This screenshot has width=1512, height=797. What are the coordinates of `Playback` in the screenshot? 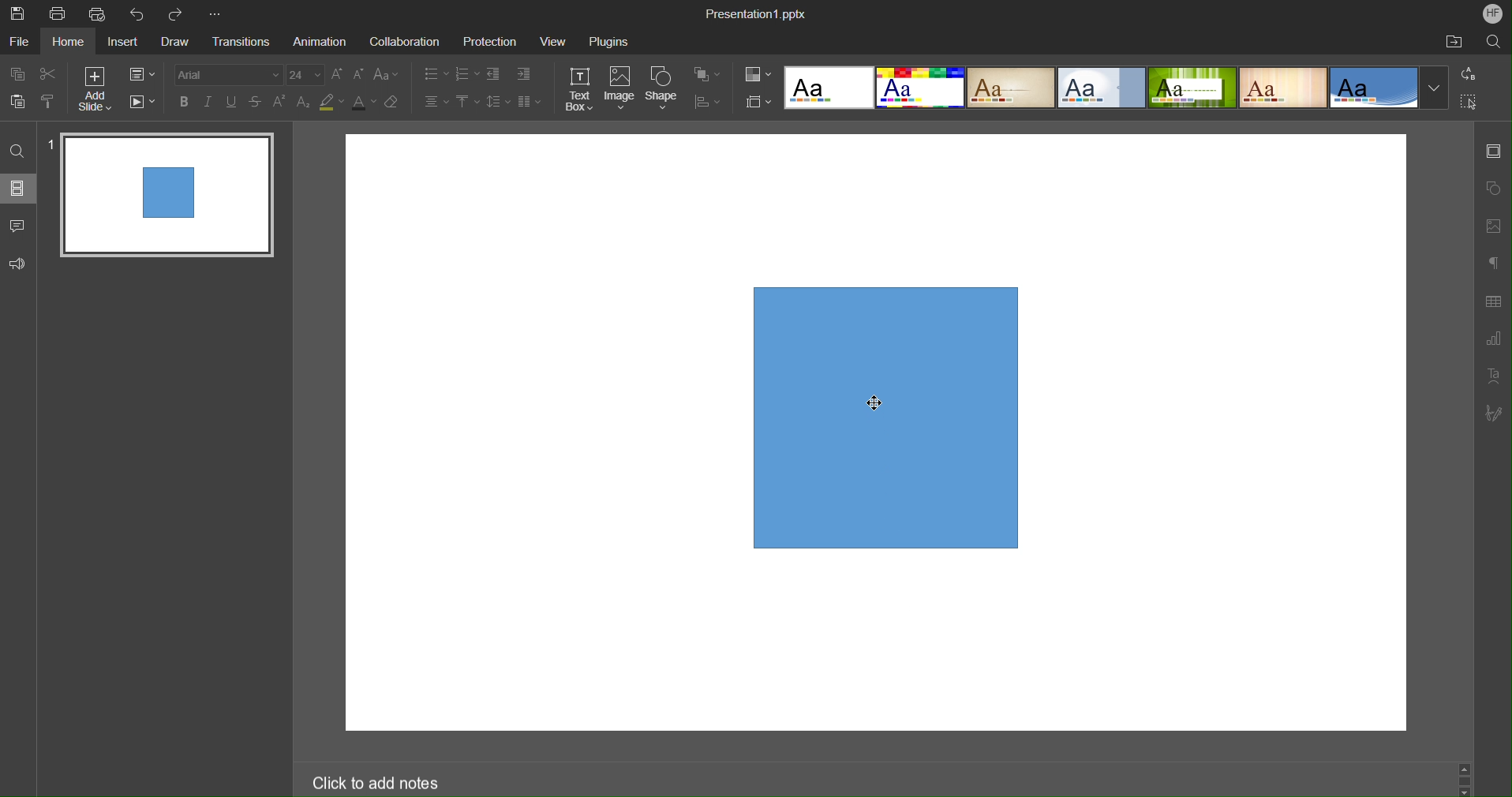 It's located at (143, 103).